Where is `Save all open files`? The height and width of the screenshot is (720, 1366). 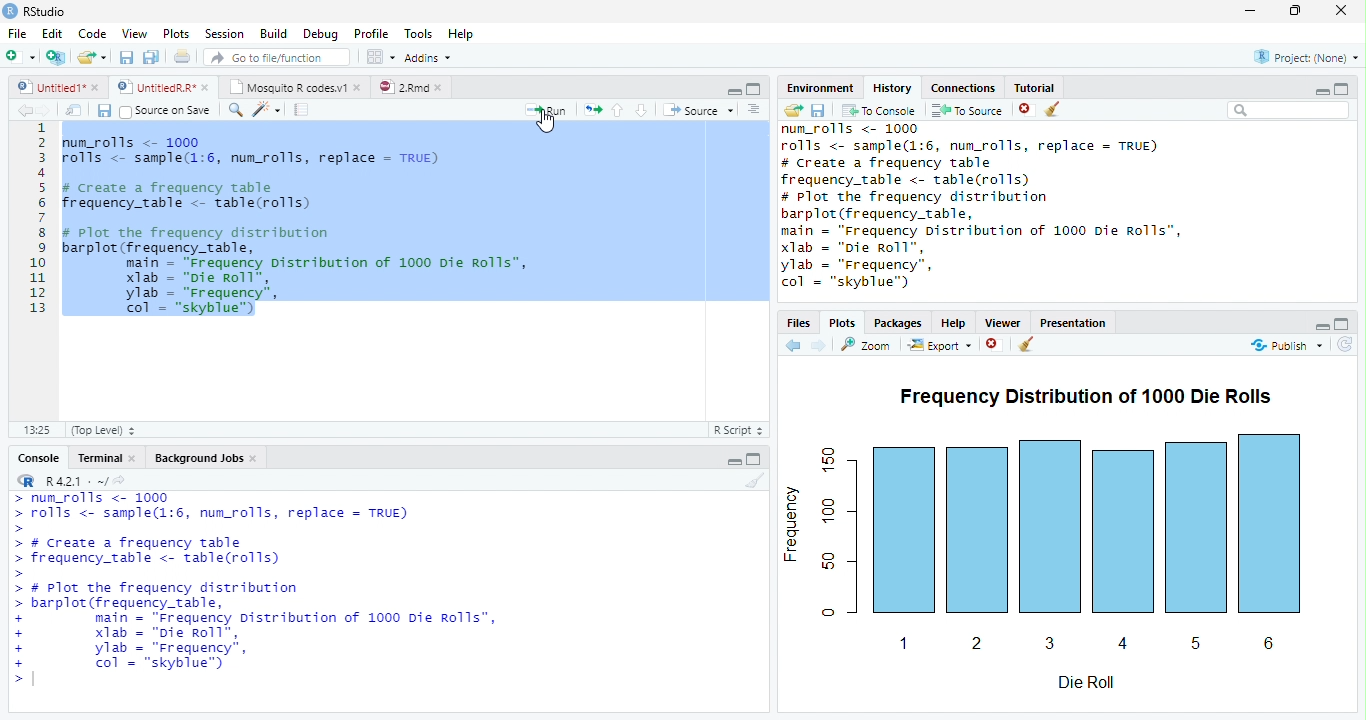 Save all open files is located at coordinates (151, 57).